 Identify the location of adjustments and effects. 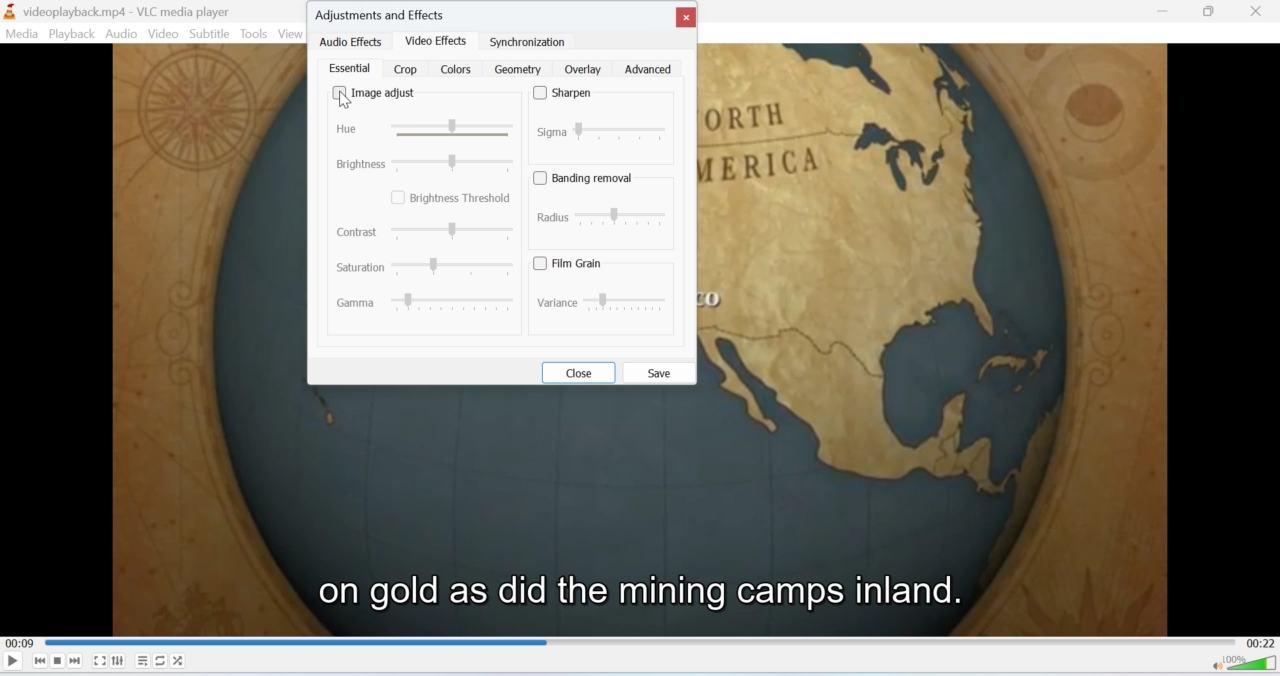
(388, 12).